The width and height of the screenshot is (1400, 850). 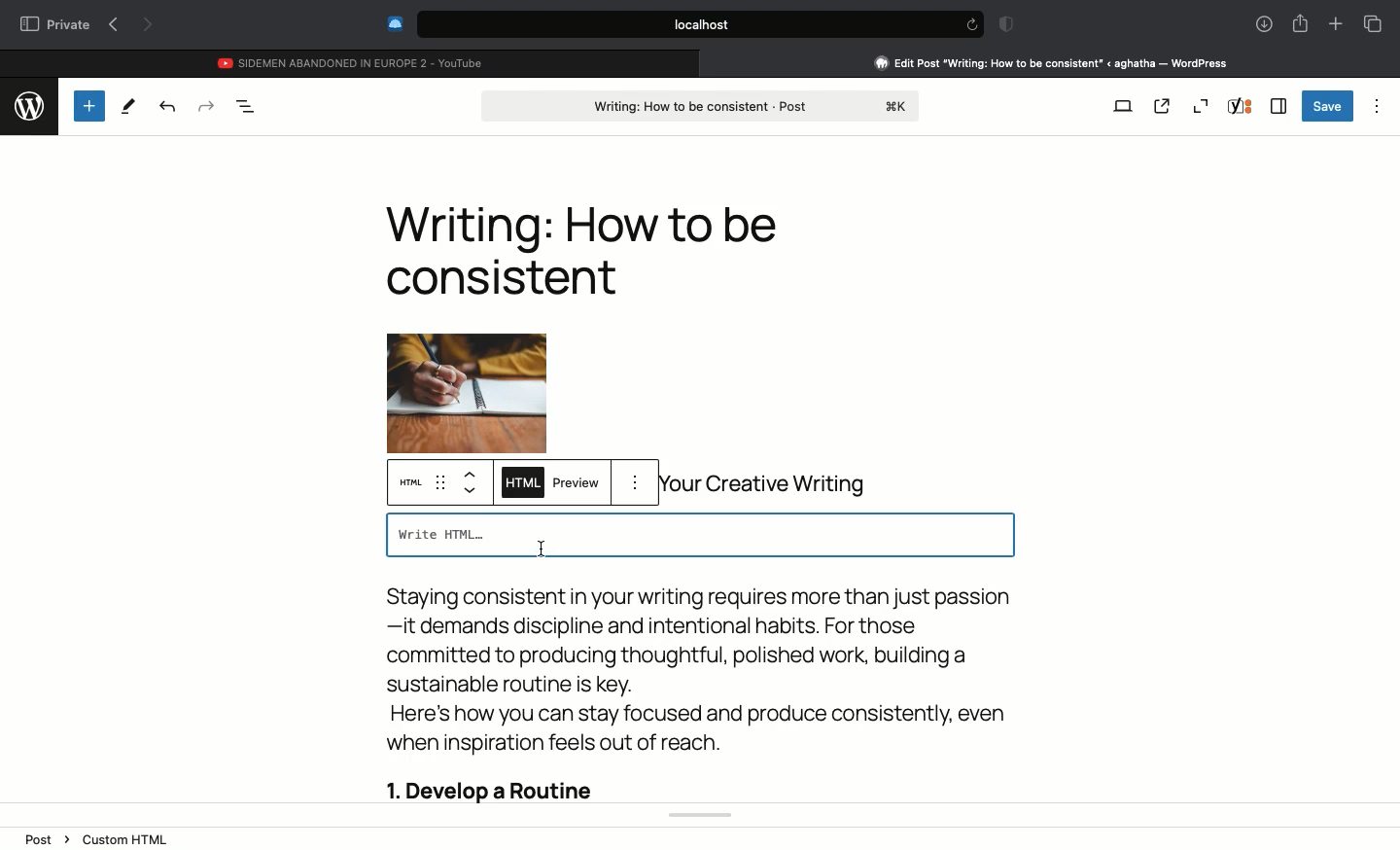 What do you see at coordinates (247, 106) in the screenshot?
I see `Document overview` at bounding box center [247, 106].